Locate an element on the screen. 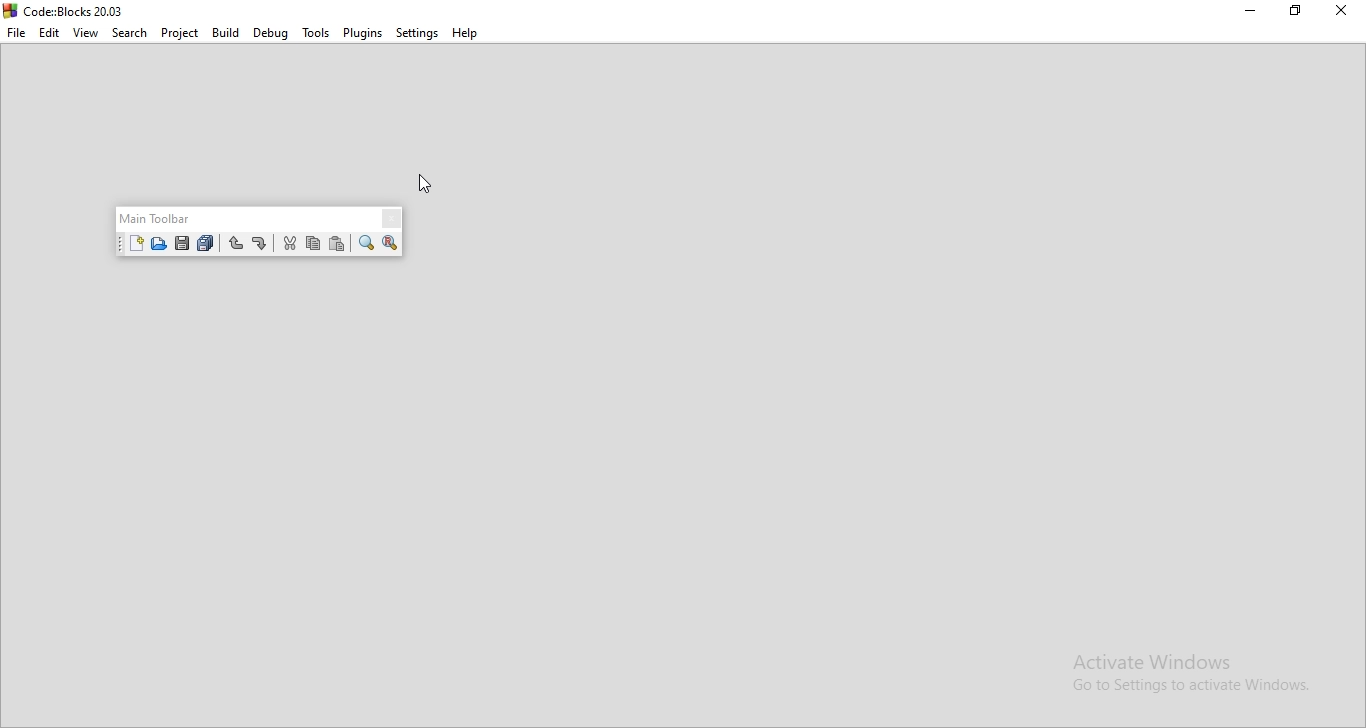 The image size is (1366, 728). find is located at coordinates (365, 244).